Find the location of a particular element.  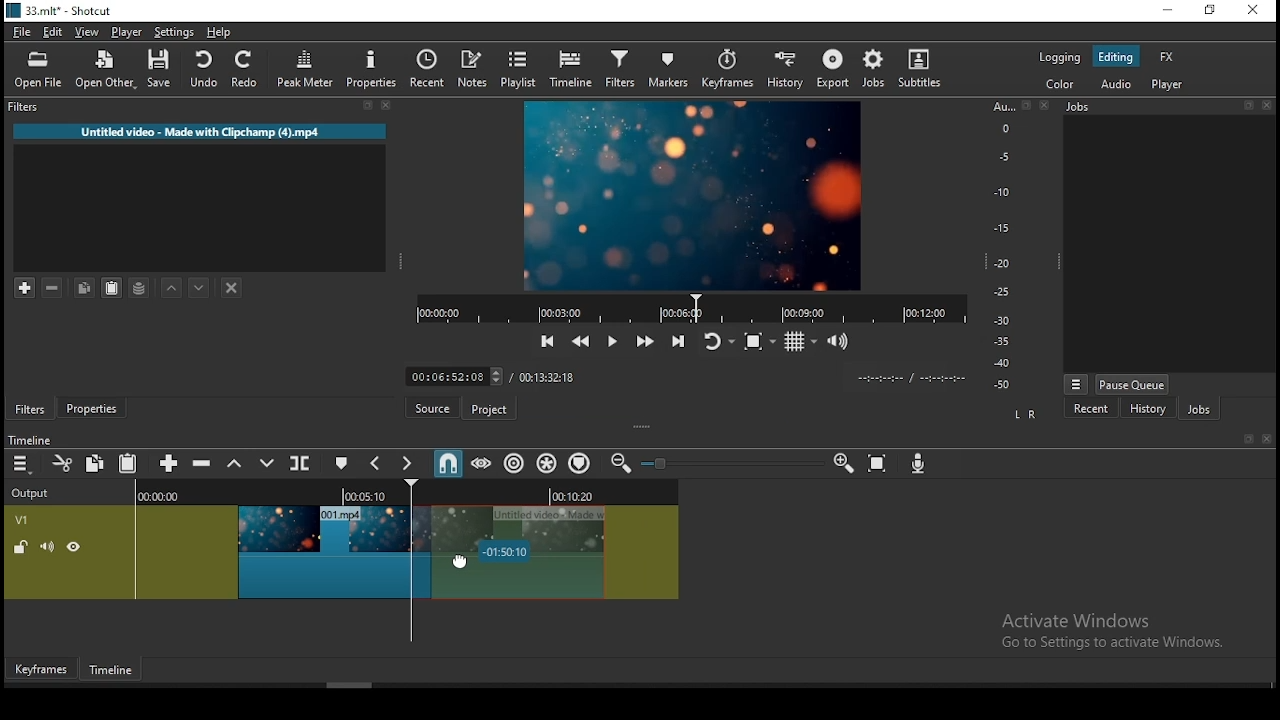

previous marker is located at coordinates (380, 465).